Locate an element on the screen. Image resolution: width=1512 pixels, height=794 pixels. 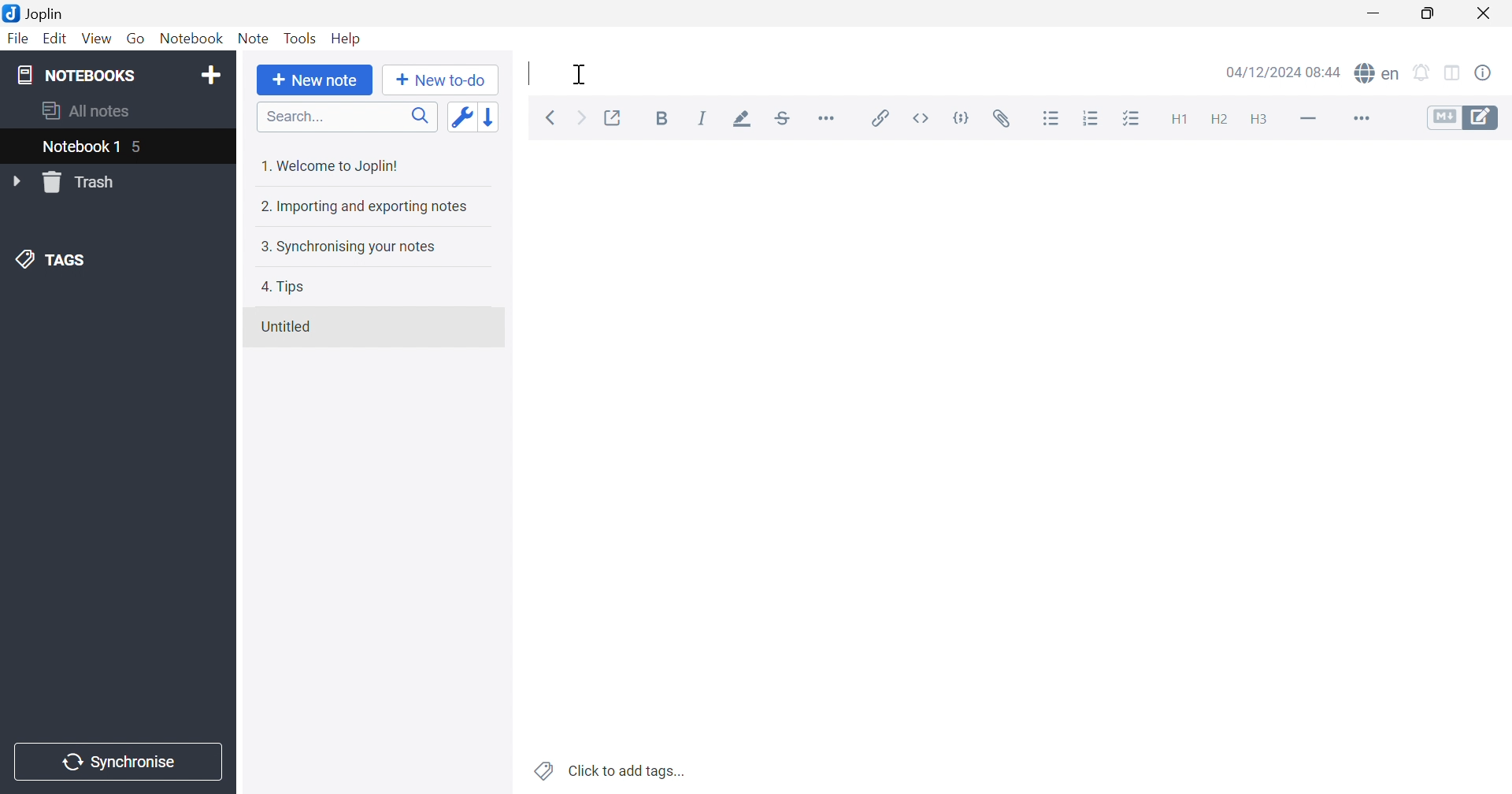
Toggle external editing is located at coordinates (613, 117).